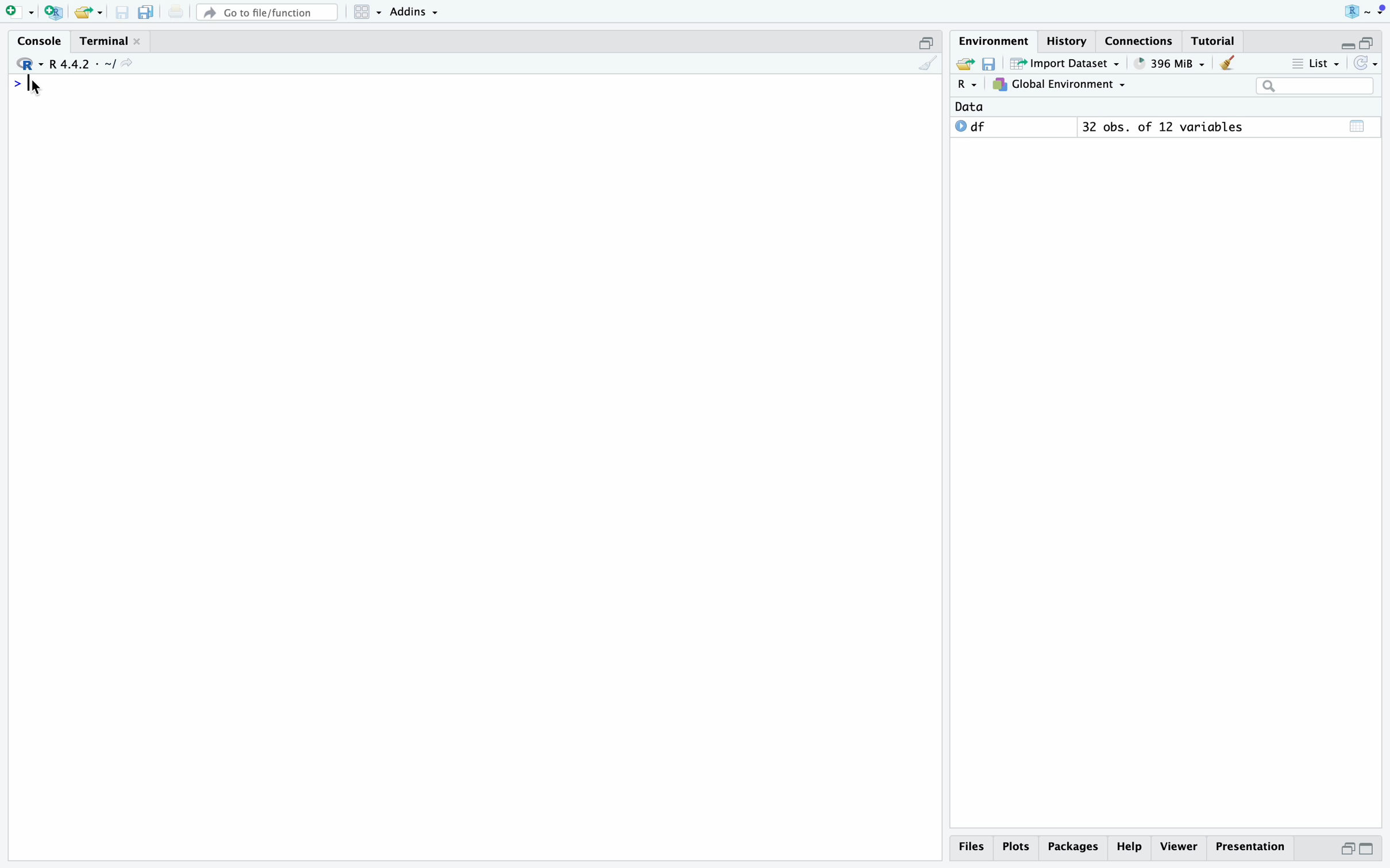 Image resolution: width=1390 pixels, height=868 pixels. Describe the element at coordinates (137, 41) in the screenshot. I see `close` at that location.